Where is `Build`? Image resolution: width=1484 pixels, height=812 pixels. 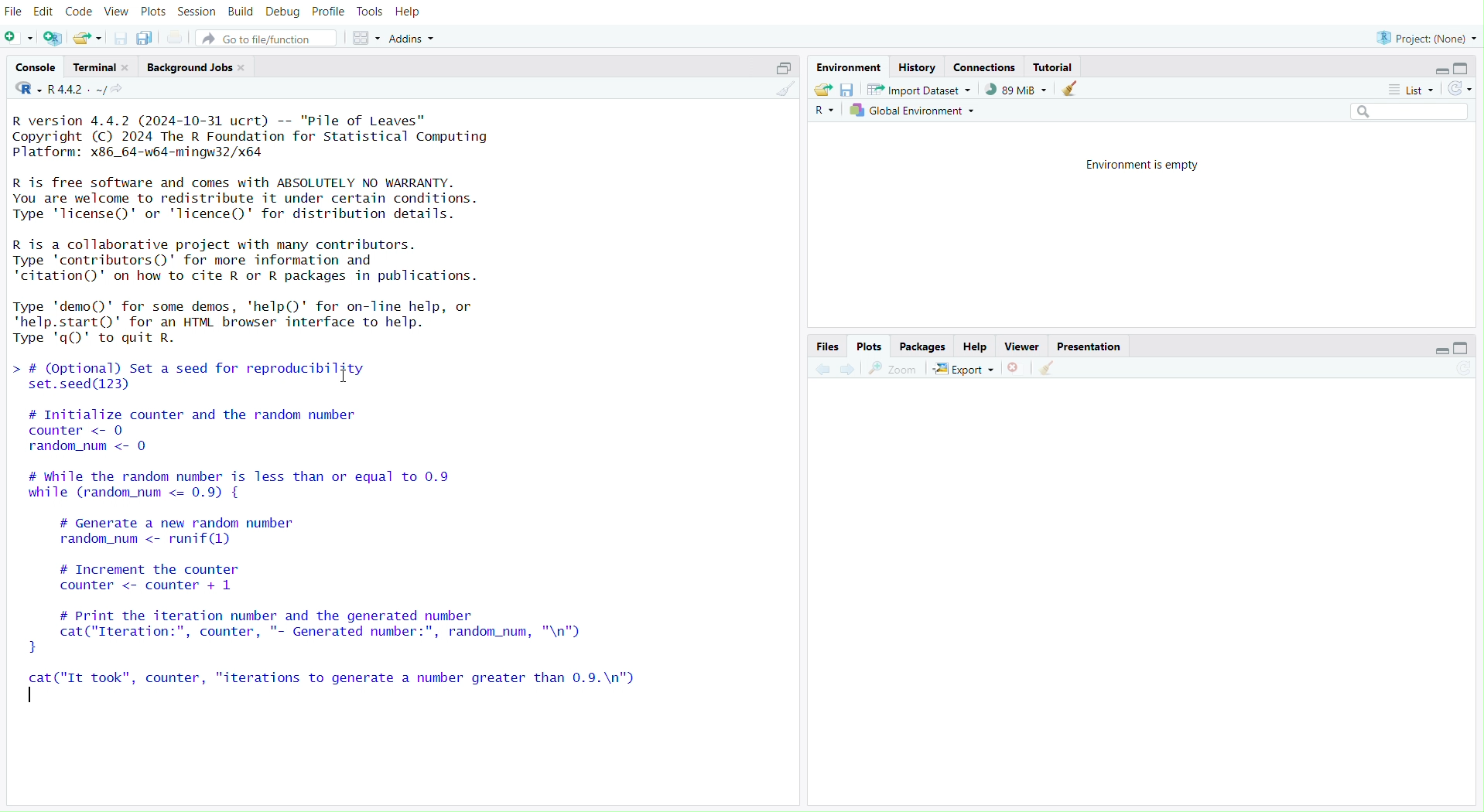
Build is located at coordinates (239, 13).